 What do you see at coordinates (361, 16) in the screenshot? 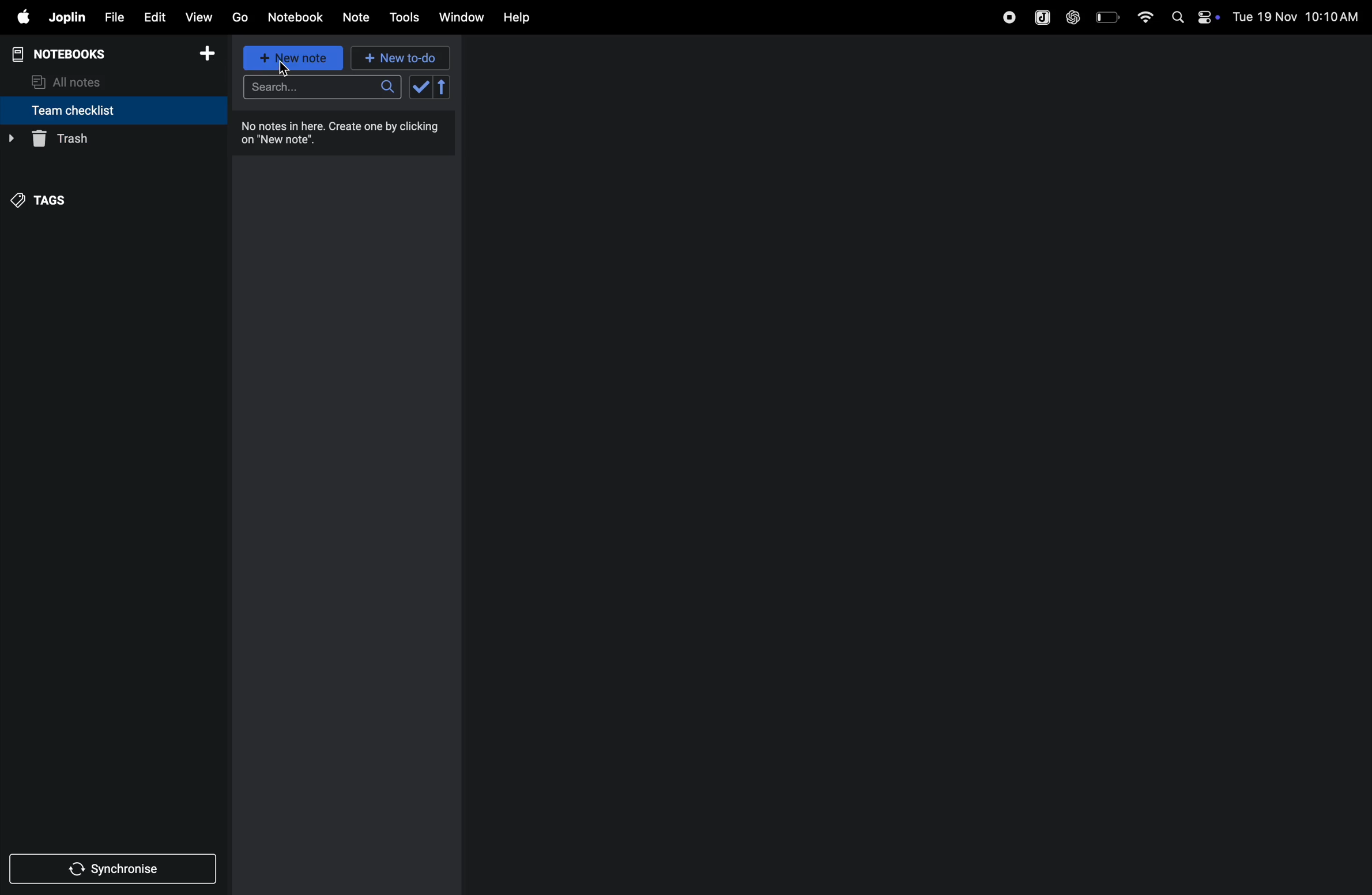
I see `note` at bounding box center [361, 16].